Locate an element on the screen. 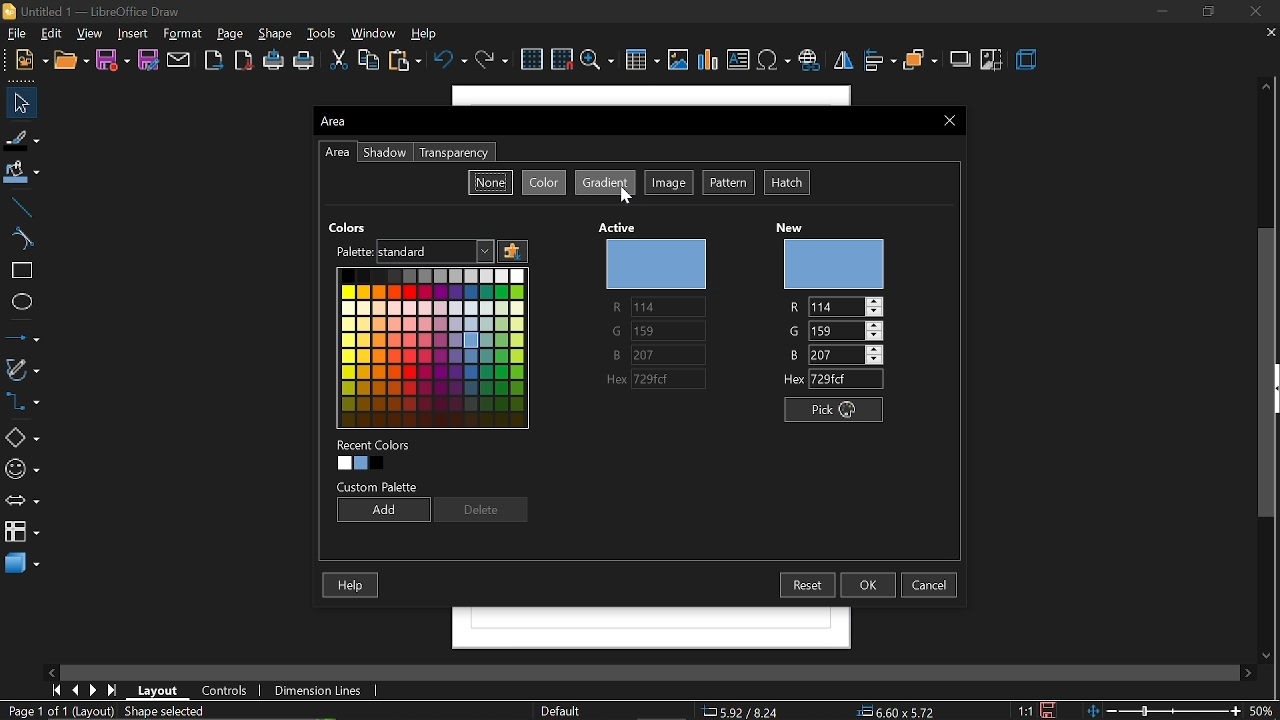  redo is located at coordinates (493, 61).